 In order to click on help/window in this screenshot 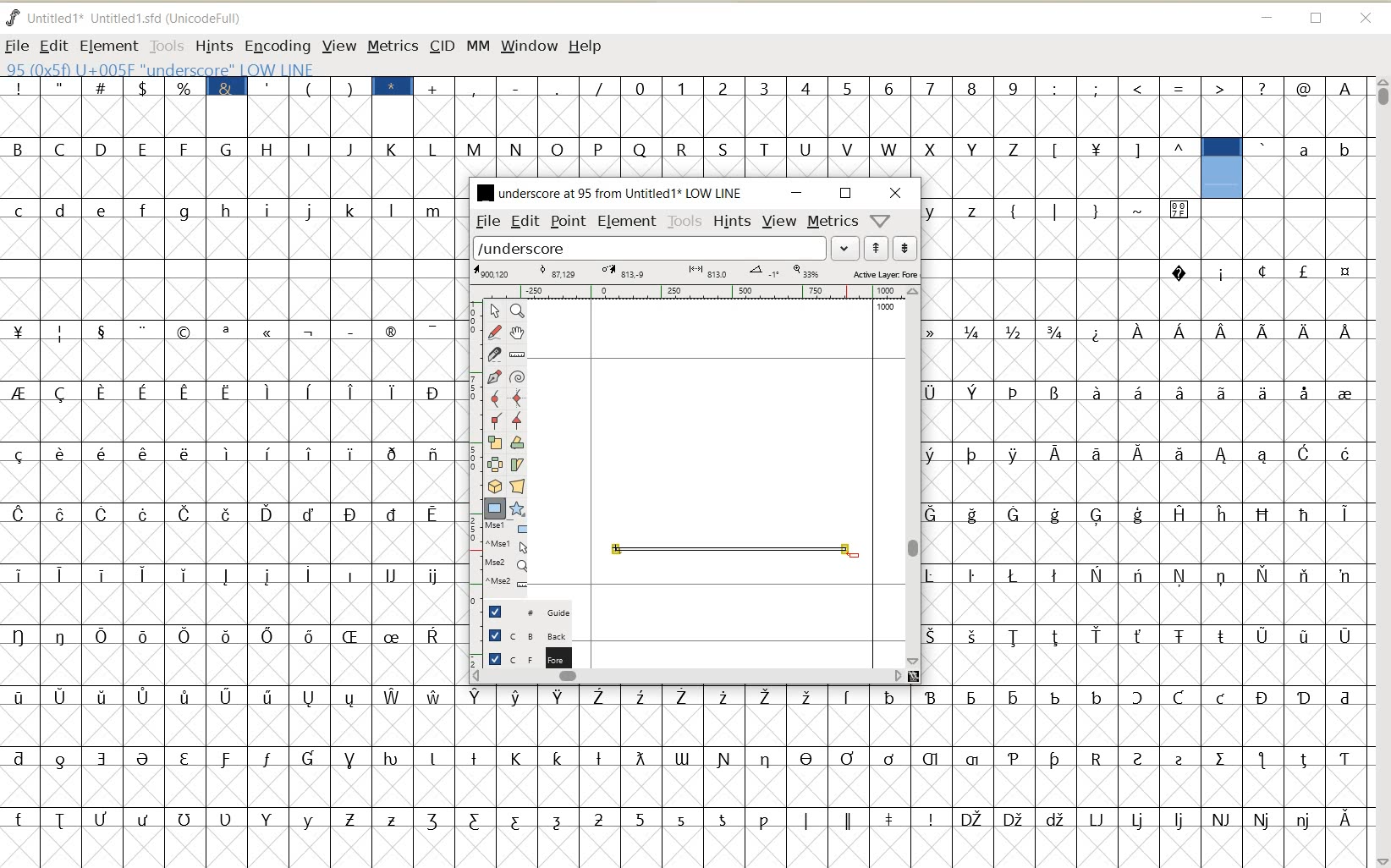, I will do `click(879, 221)`.